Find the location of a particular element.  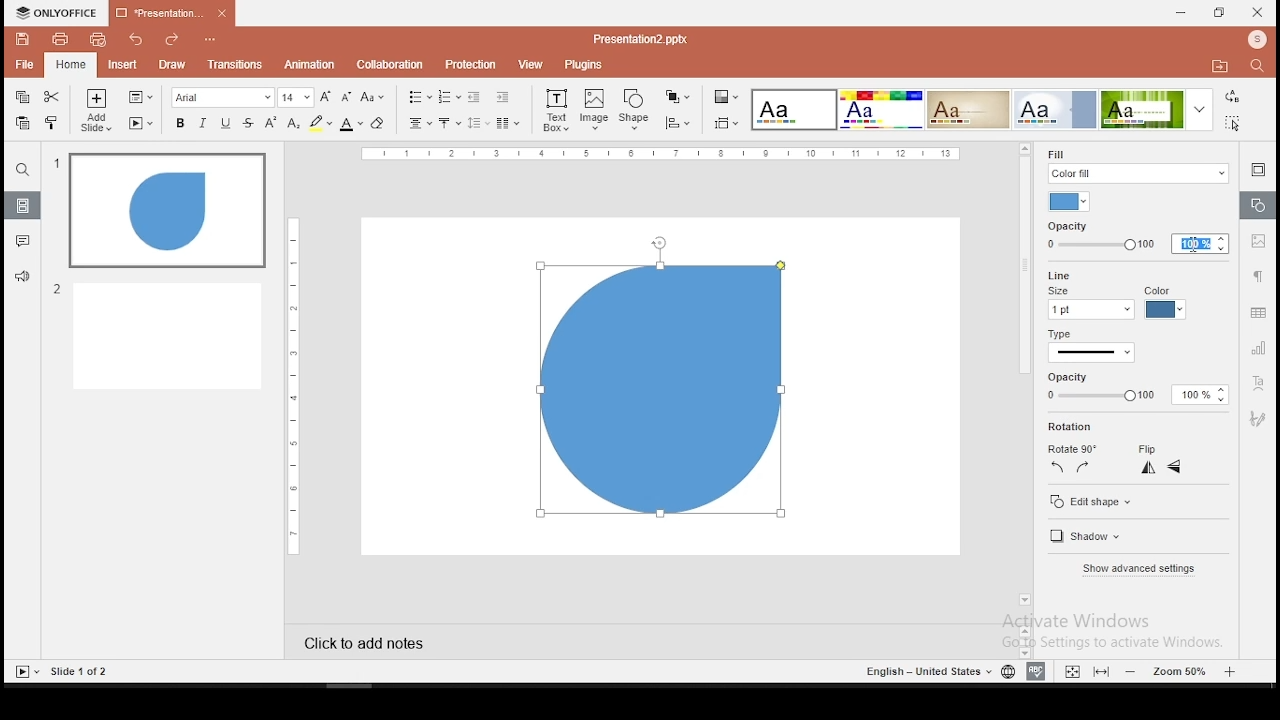

decrease indent is located at coordinates (473, 97).